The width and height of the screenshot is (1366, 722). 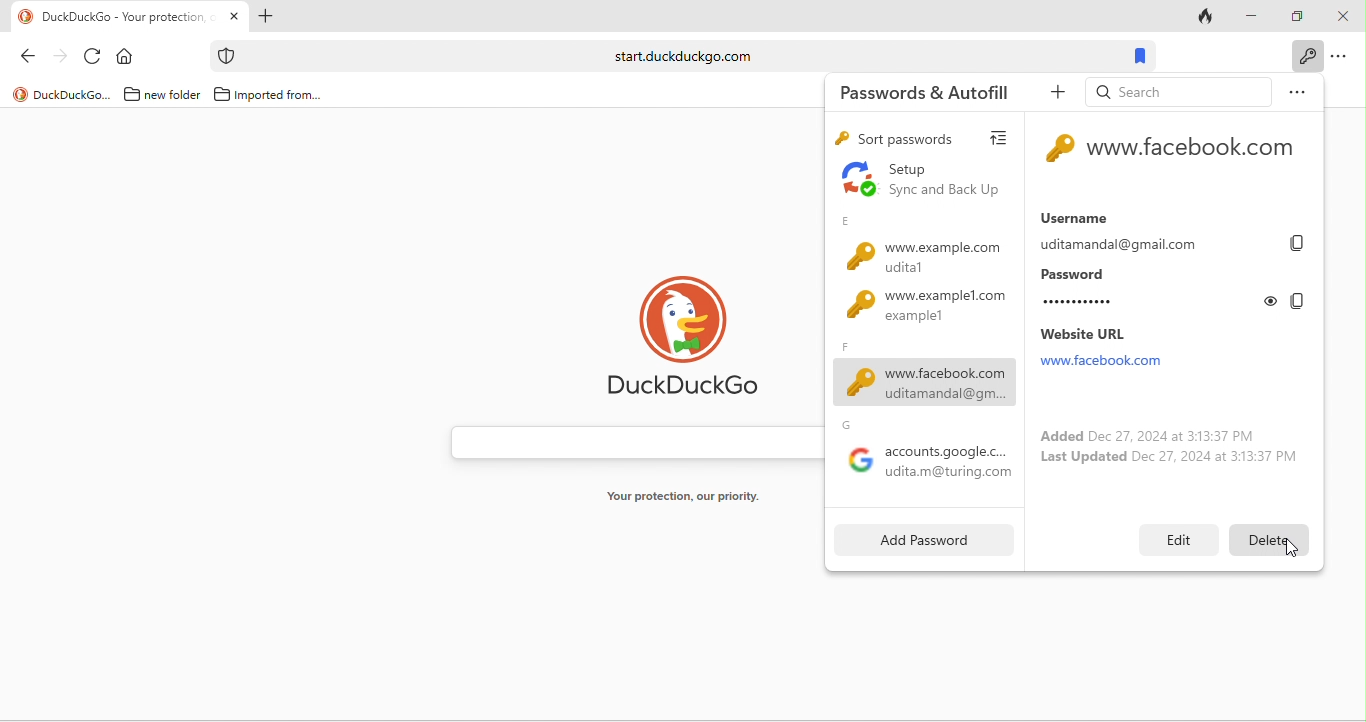 What do you see at coordinates (1195, 152) in the screenshot?
I see `www.facebook.com` at bounding box center [1195, 152].